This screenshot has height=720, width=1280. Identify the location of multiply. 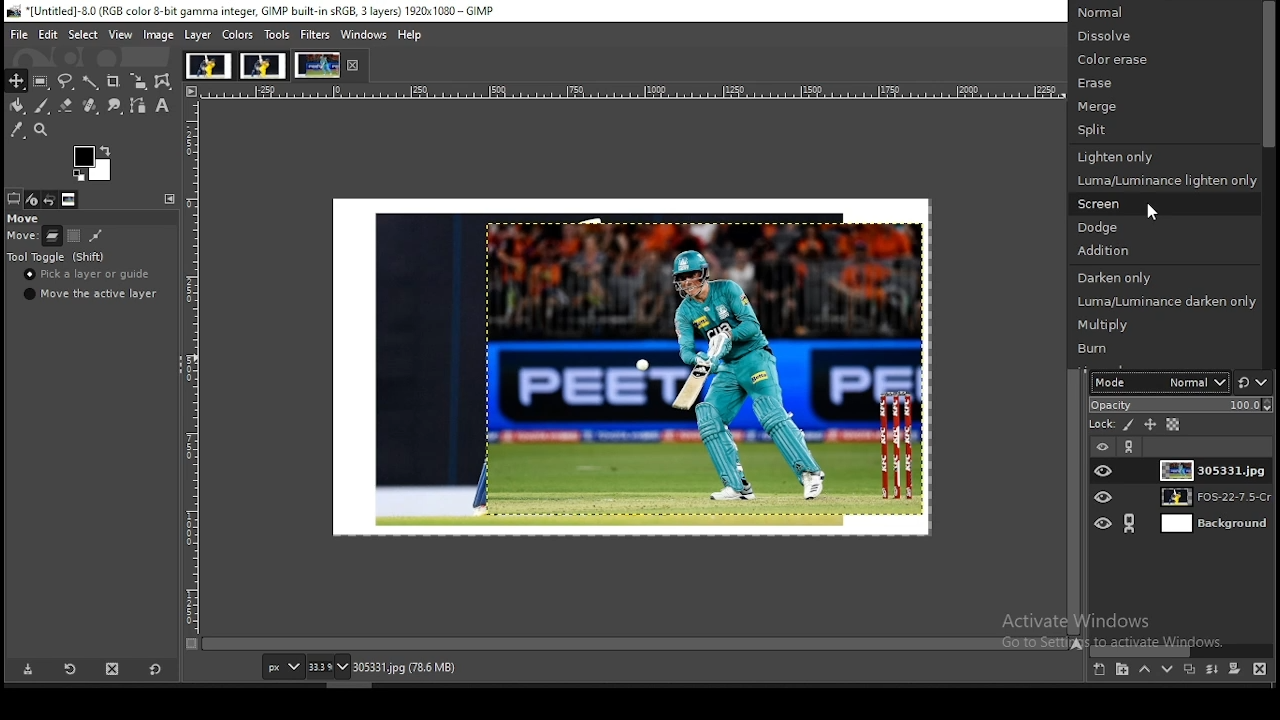
(1155, 325).